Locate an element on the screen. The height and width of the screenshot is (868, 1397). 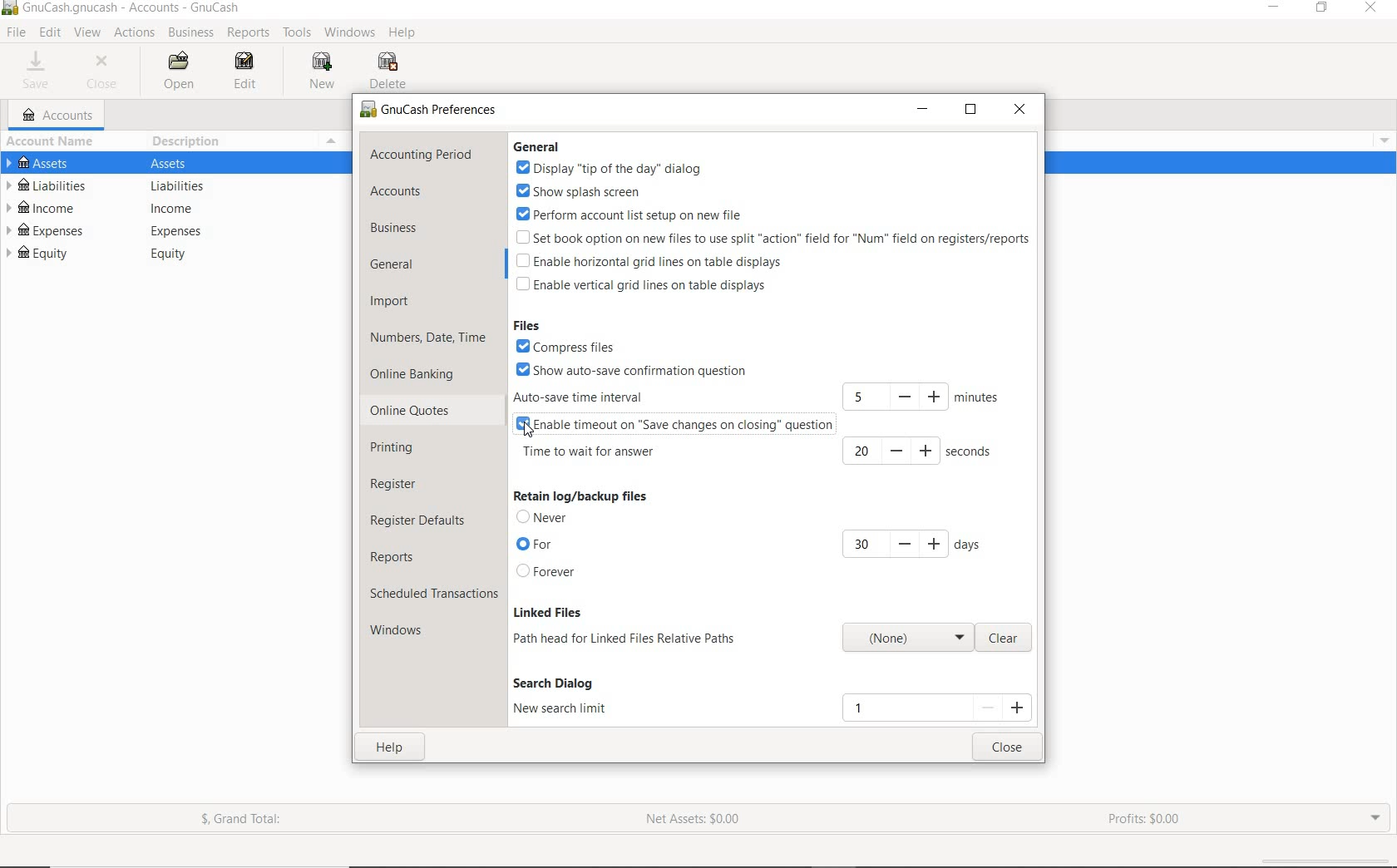
ACCOUNTS is located at coordinates (62, 114).